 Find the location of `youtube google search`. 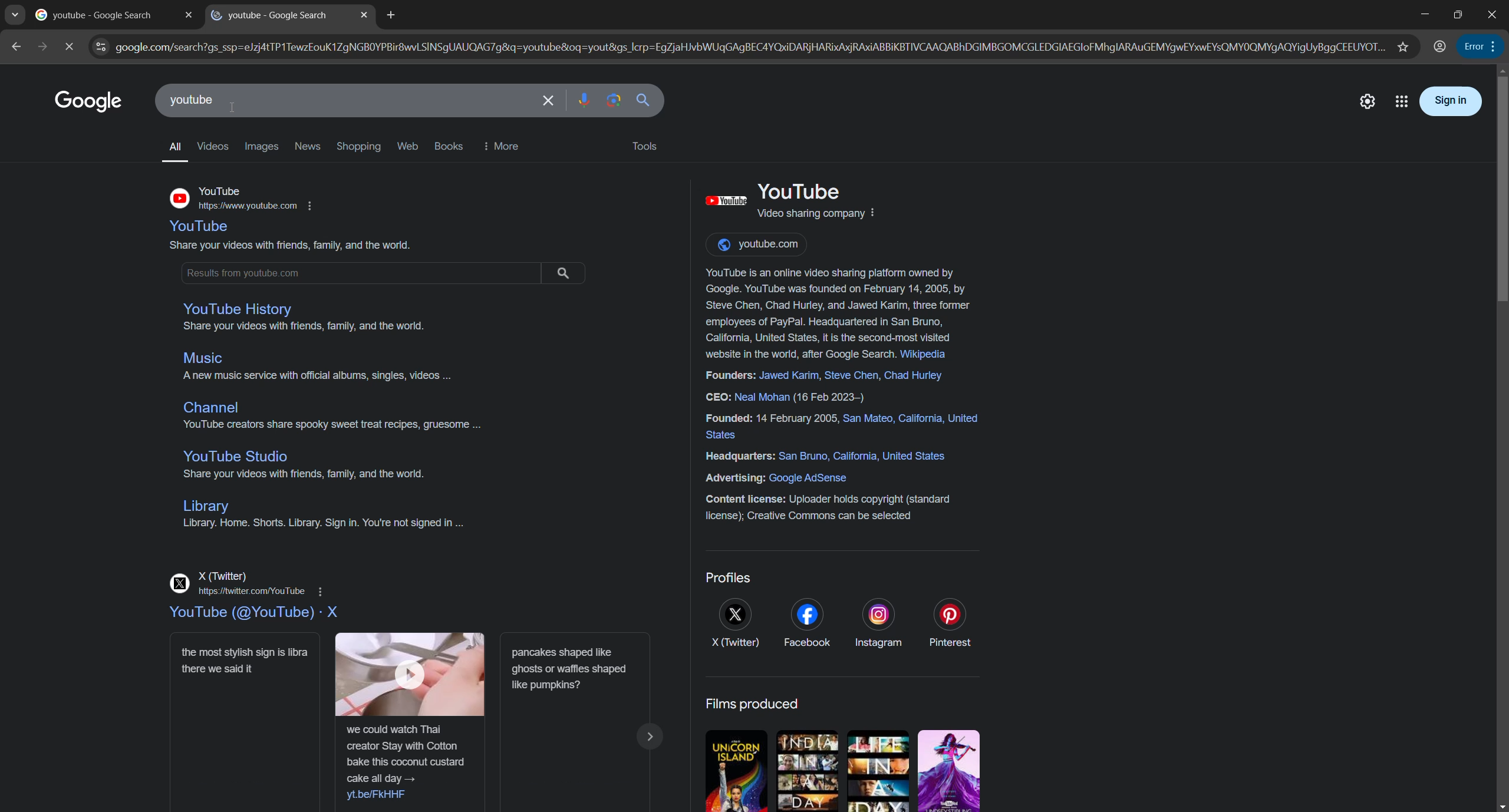

youtube google search is located at coordinates (97, 16).